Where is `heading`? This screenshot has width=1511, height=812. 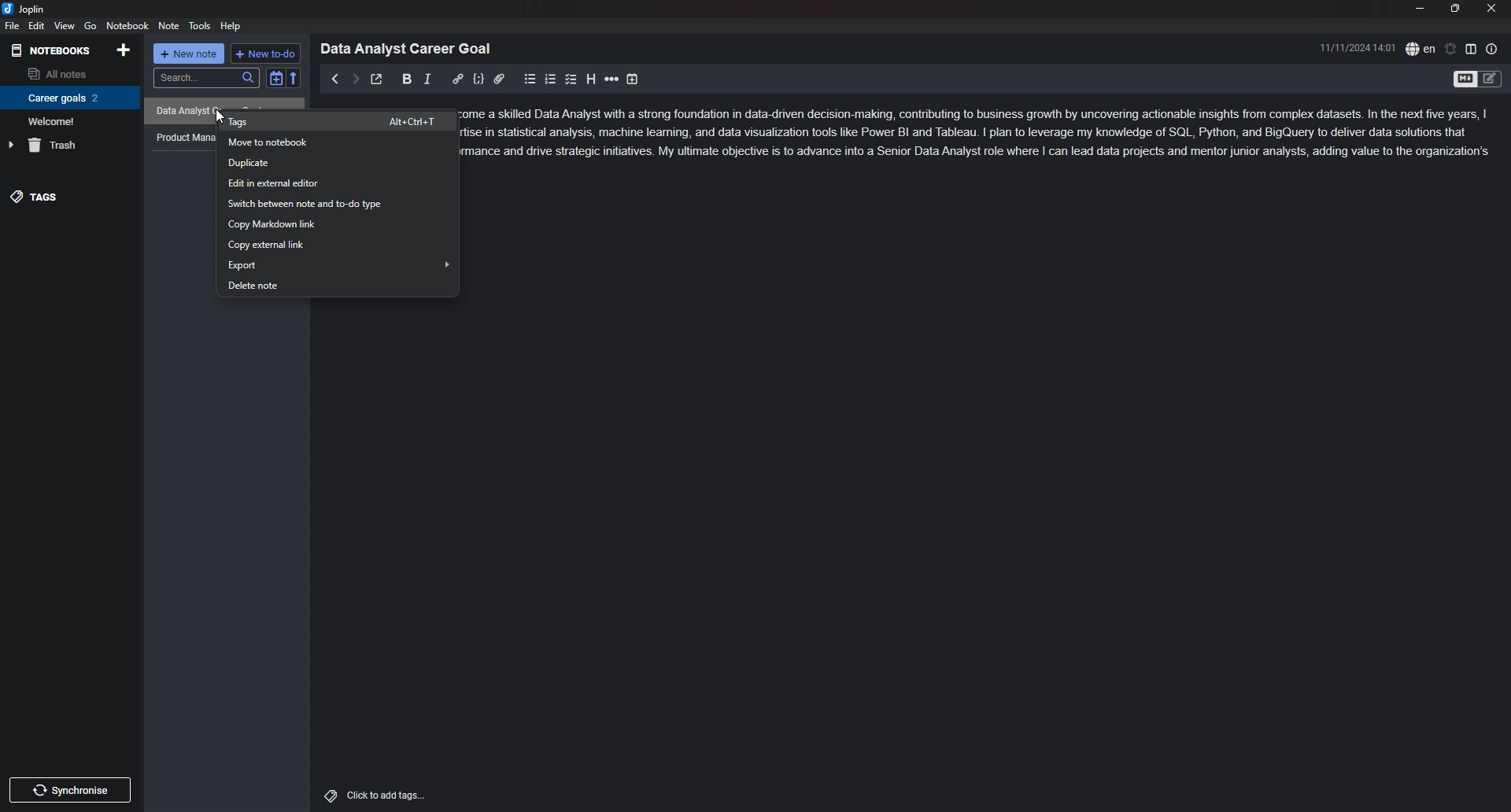 heading is located at coordinates (591, 79).